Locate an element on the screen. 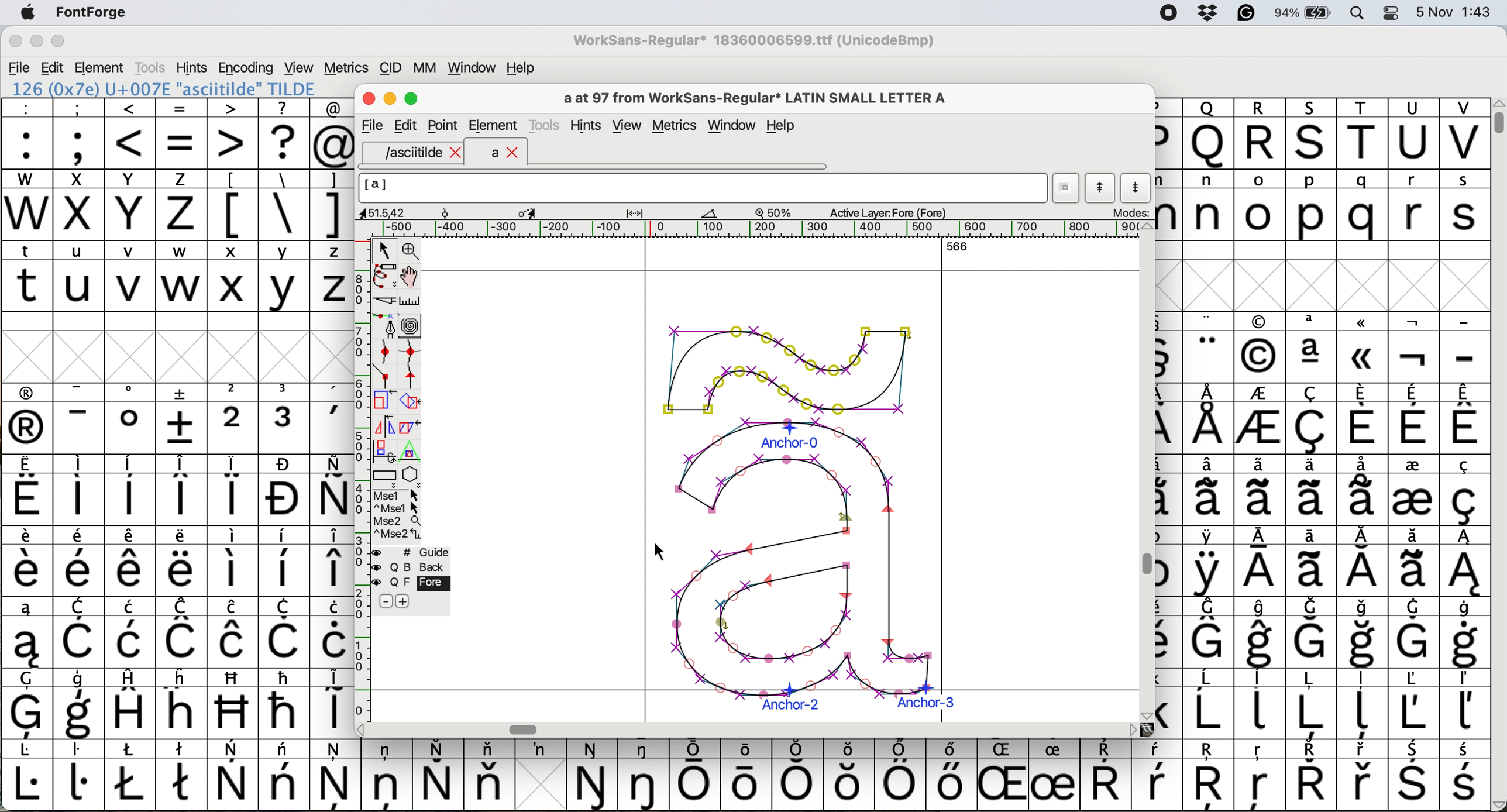 This screenshot has width=1507, height=812. symbol is located at coordinates (1364, 776).